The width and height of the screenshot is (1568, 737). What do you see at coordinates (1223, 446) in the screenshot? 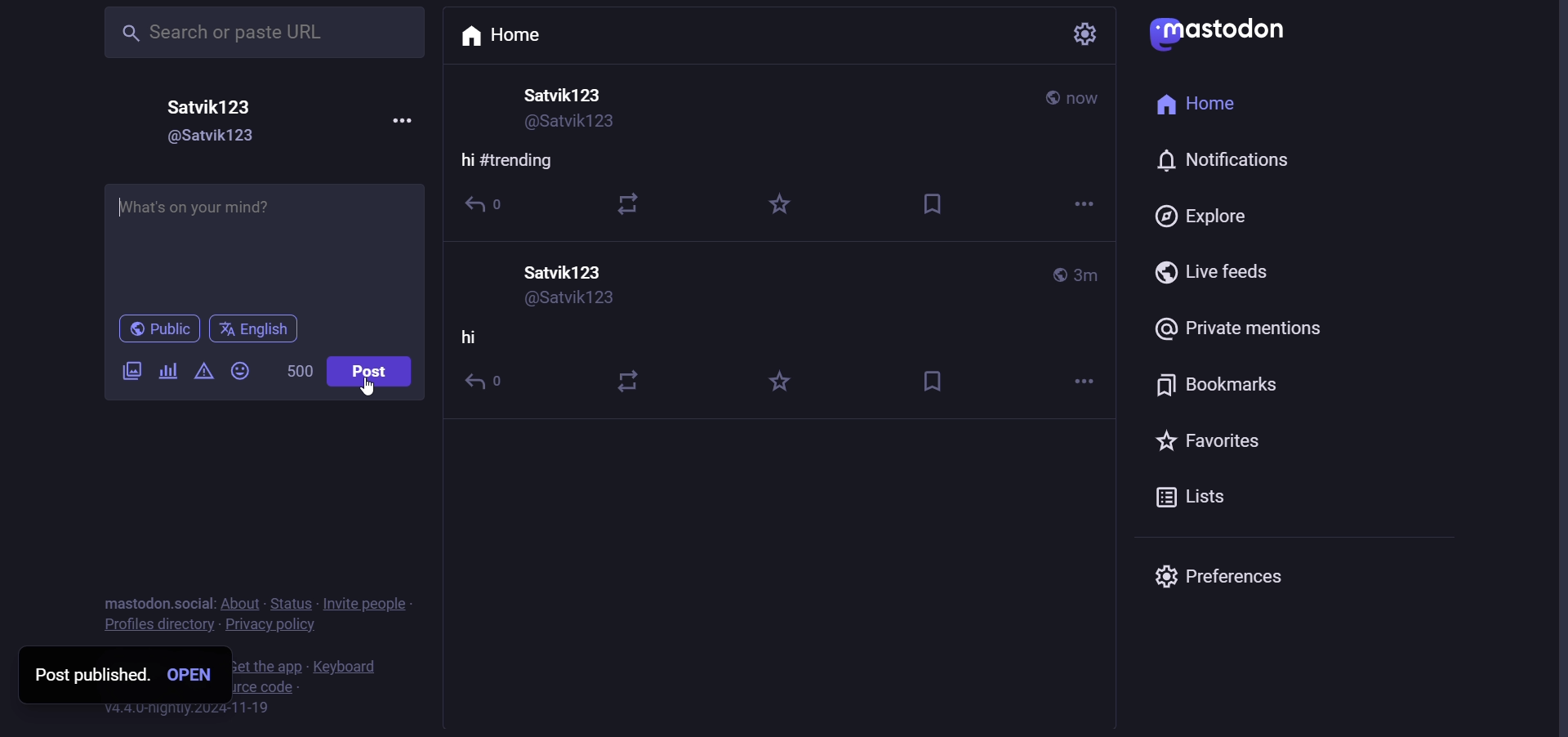
I see `favorite` at bounding box center [1223, 446].